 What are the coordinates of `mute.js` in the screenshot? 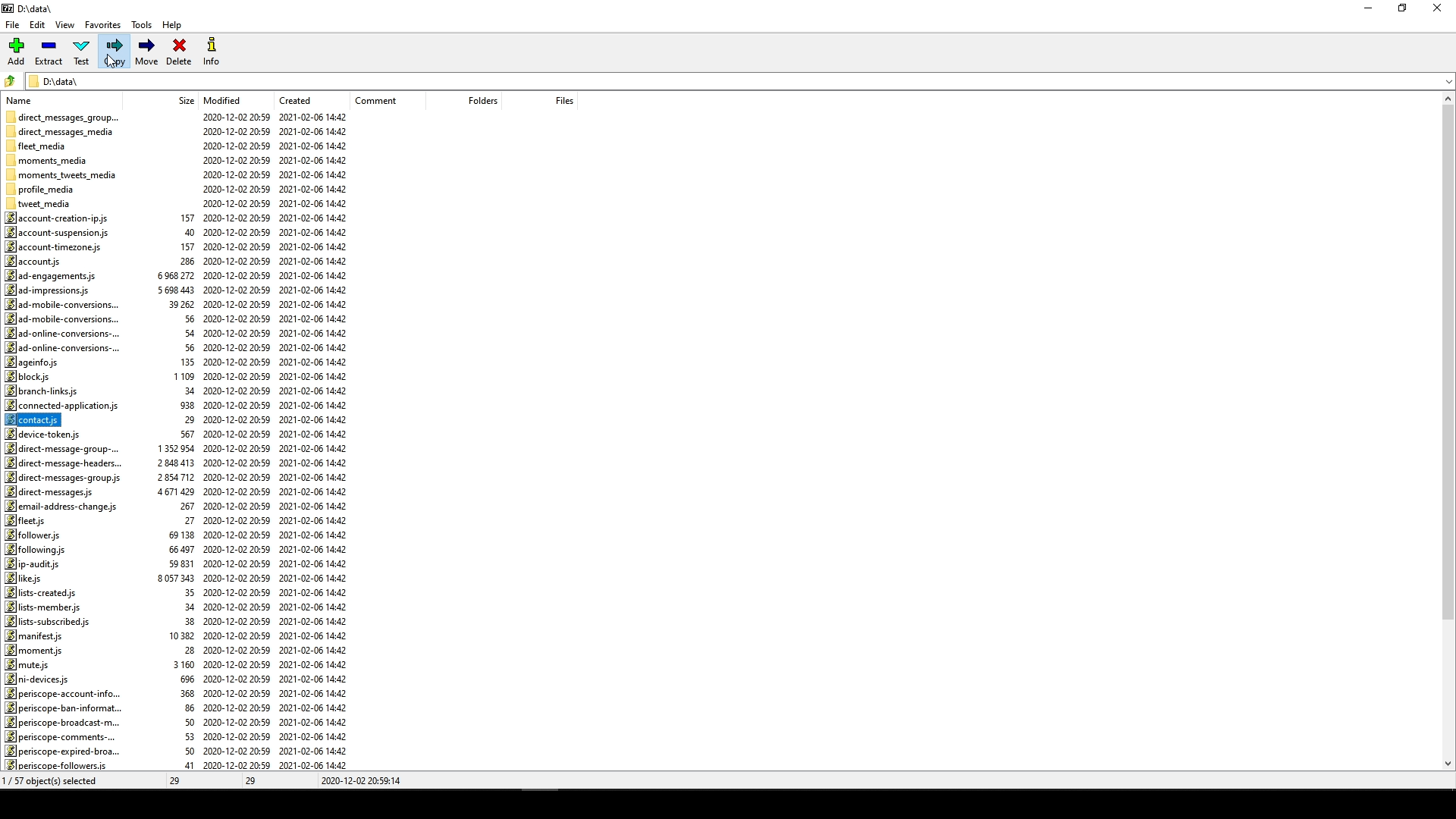 It's located at (28, 664).